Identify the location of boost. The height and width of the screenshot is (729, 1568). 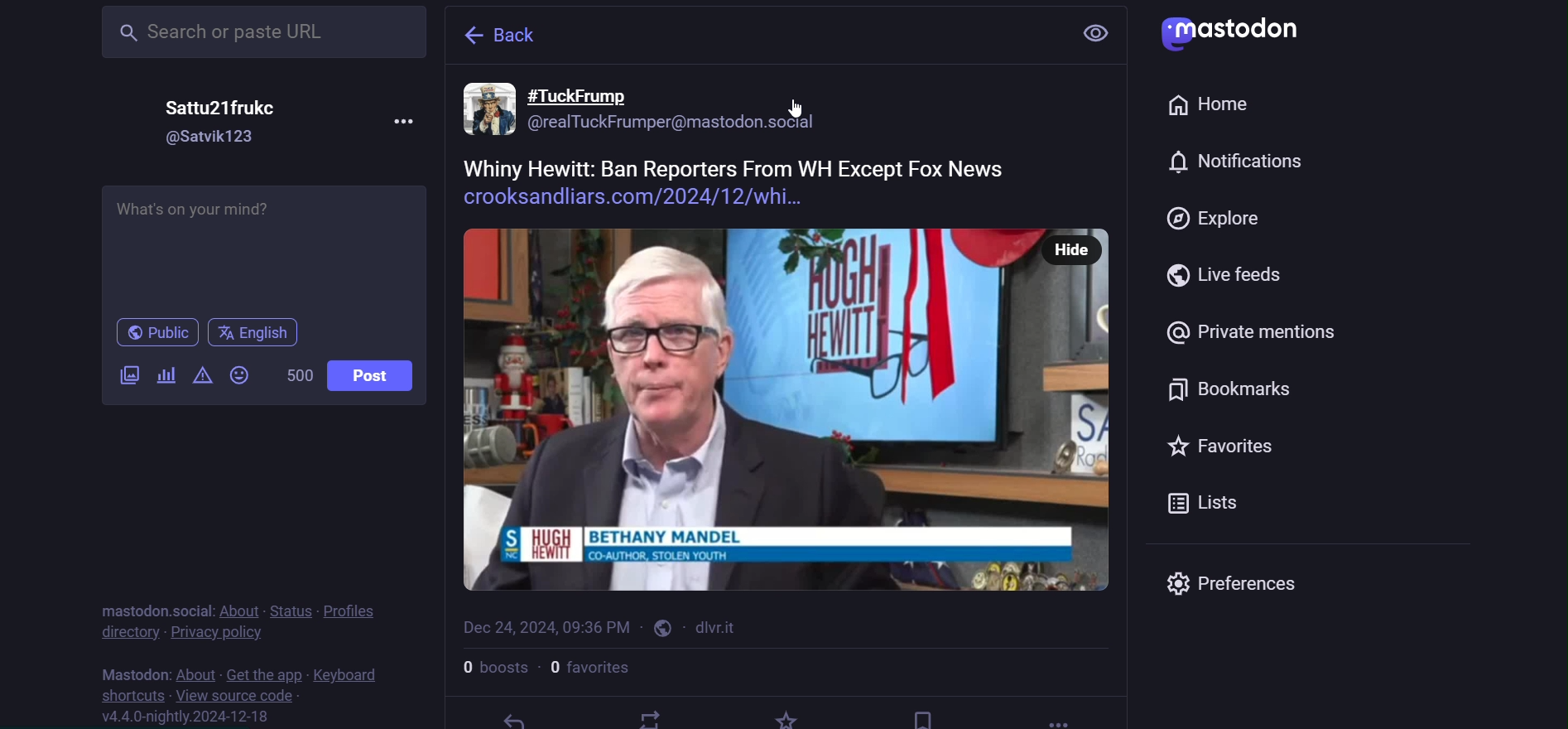
(651, 718).